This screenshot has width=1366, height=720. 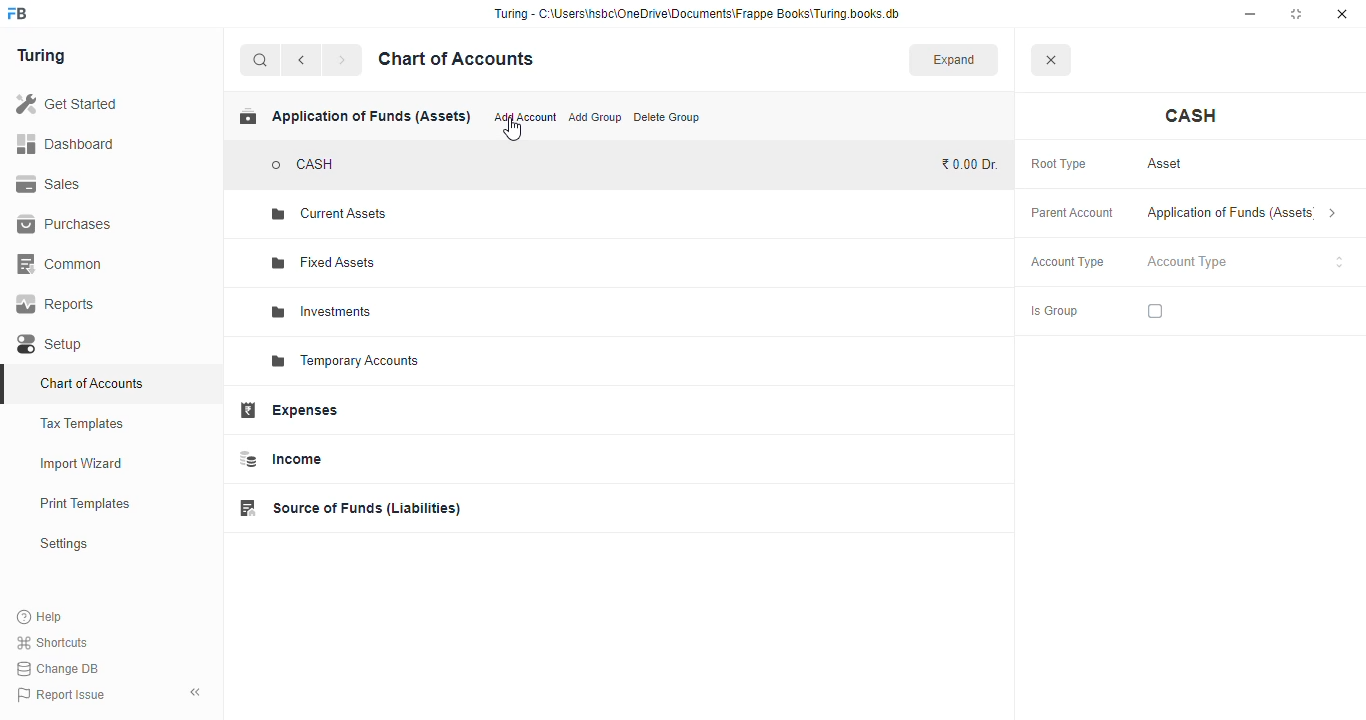 What do you see at coordinates (301, 60) in the screenshot?
I see `back` at bounding box center [301, 60].